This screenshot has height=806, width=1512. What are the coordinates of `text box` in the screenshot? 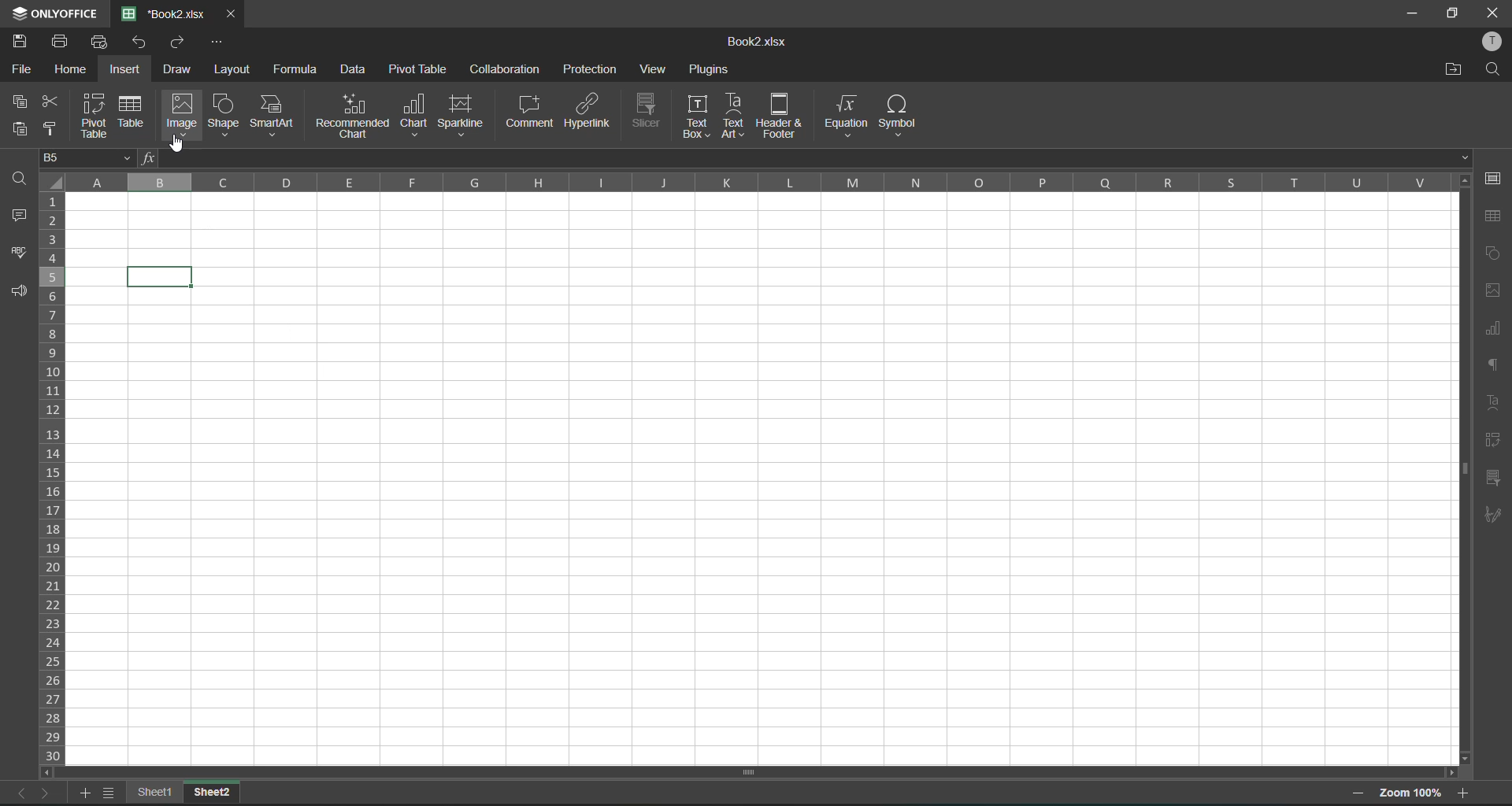 It's located at (699, 116).